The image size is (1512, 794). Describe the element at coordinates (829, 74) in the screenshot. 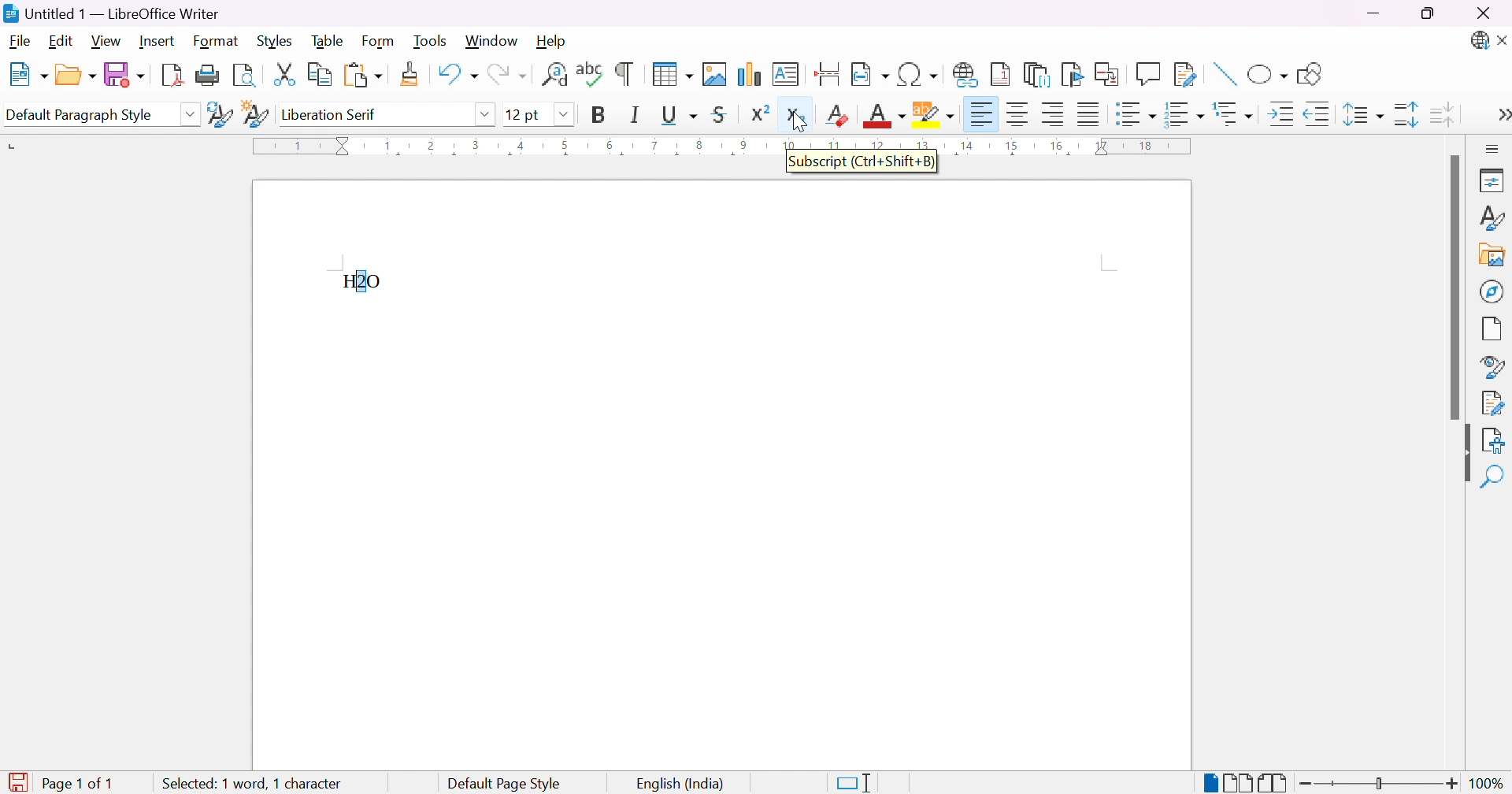

I see `Insert page break` at that location.